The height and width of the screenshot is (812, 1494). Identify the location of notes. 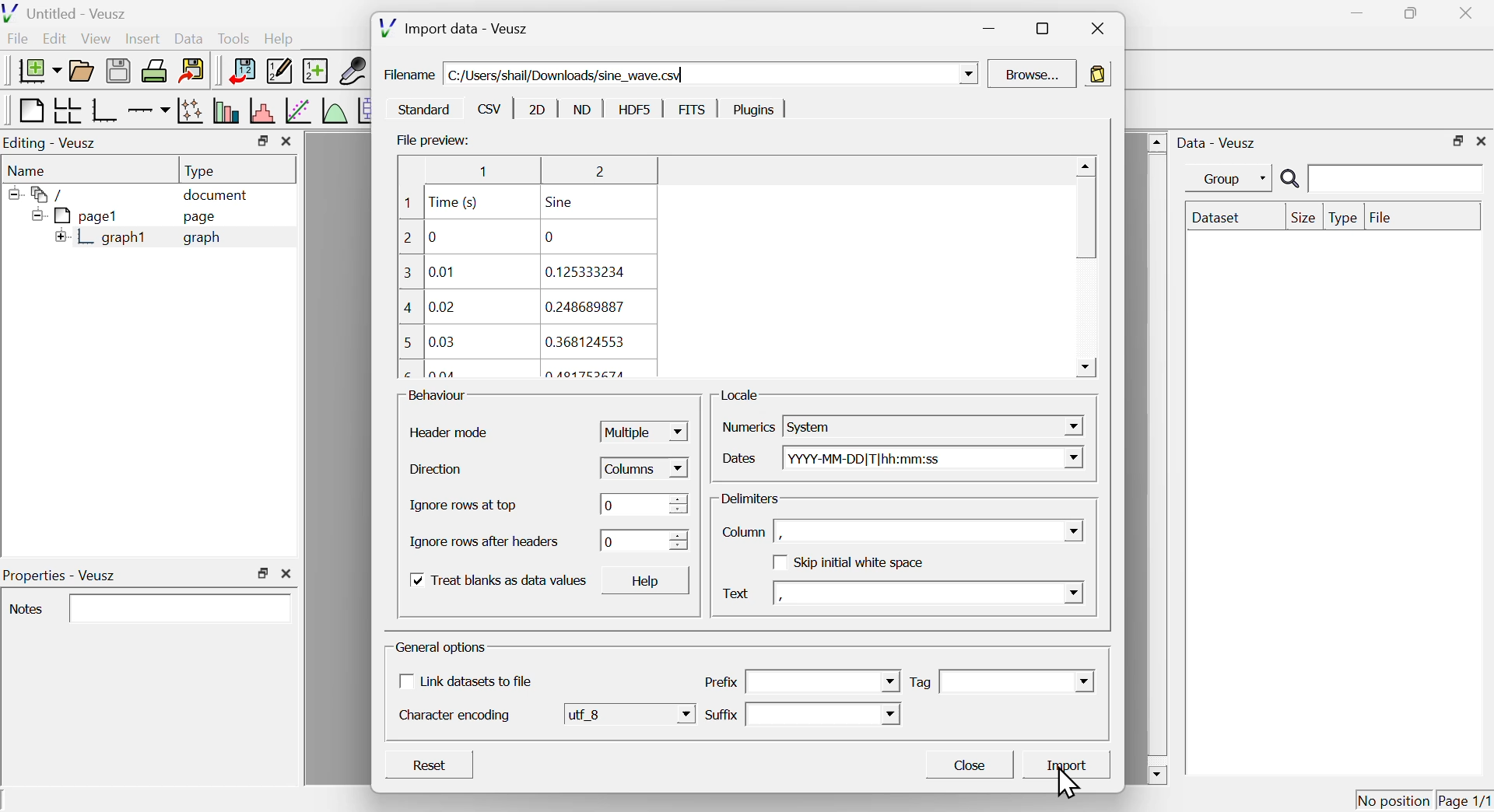
(27, 610).